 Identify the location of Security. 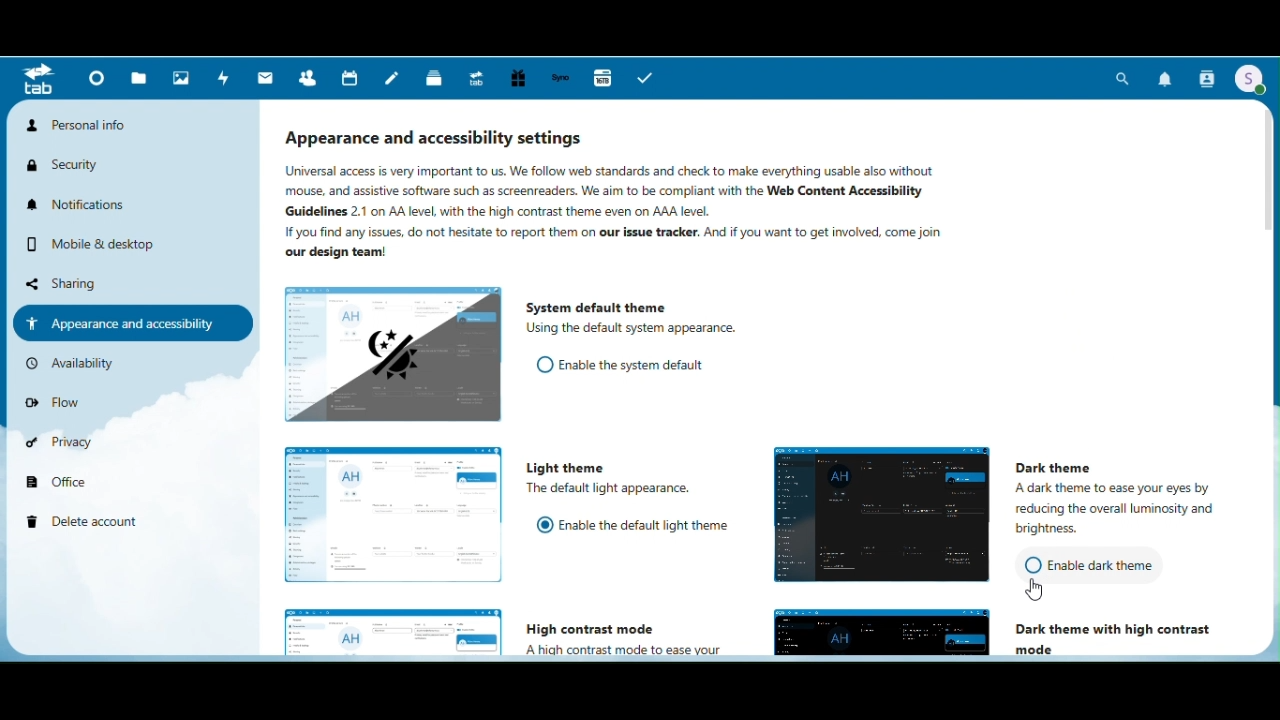
(79, 165).